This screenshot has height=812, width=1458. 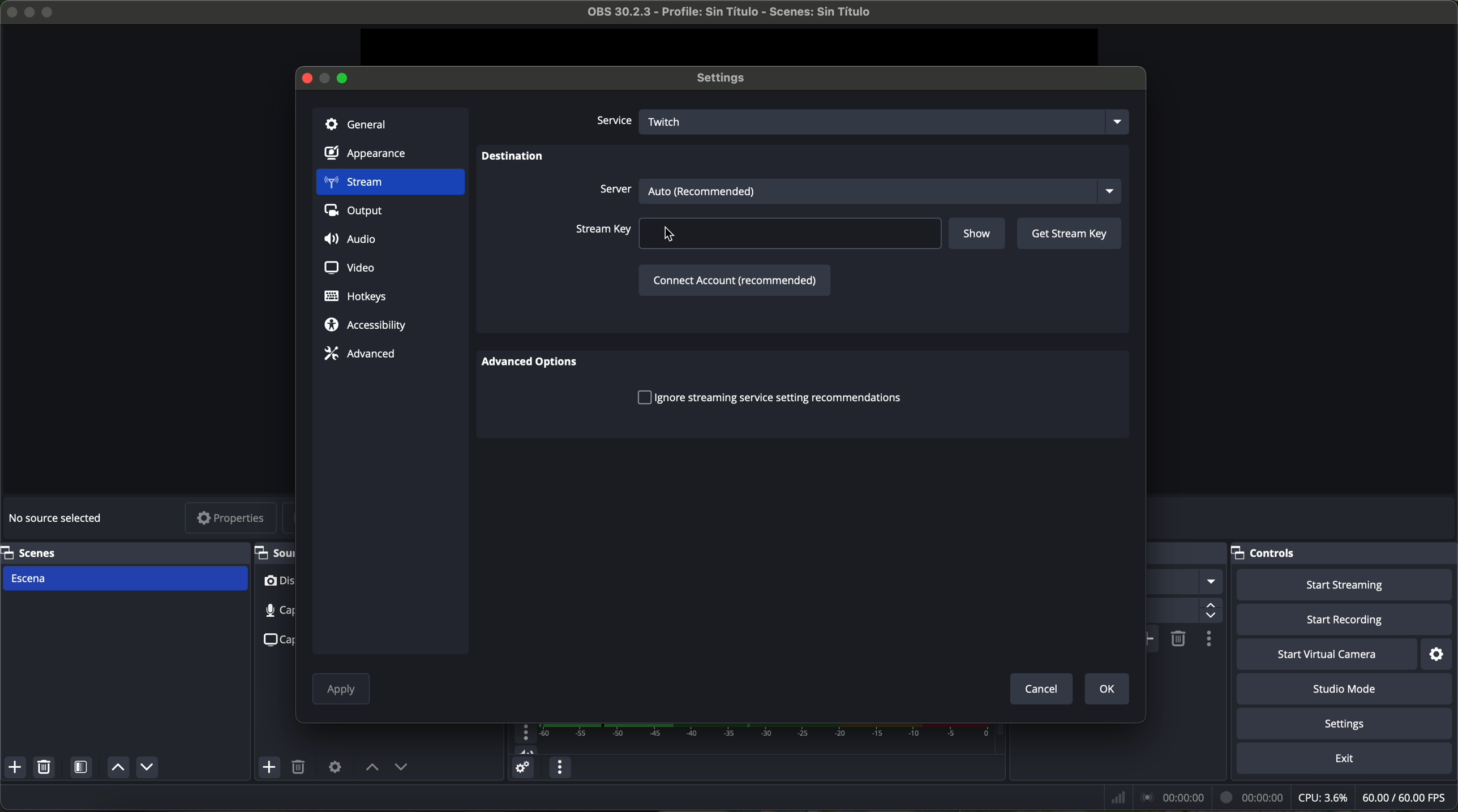 What do you see at coordinates (344, 77) in the screenshot?
I see `maximize window` at bounding box center [344, 77].